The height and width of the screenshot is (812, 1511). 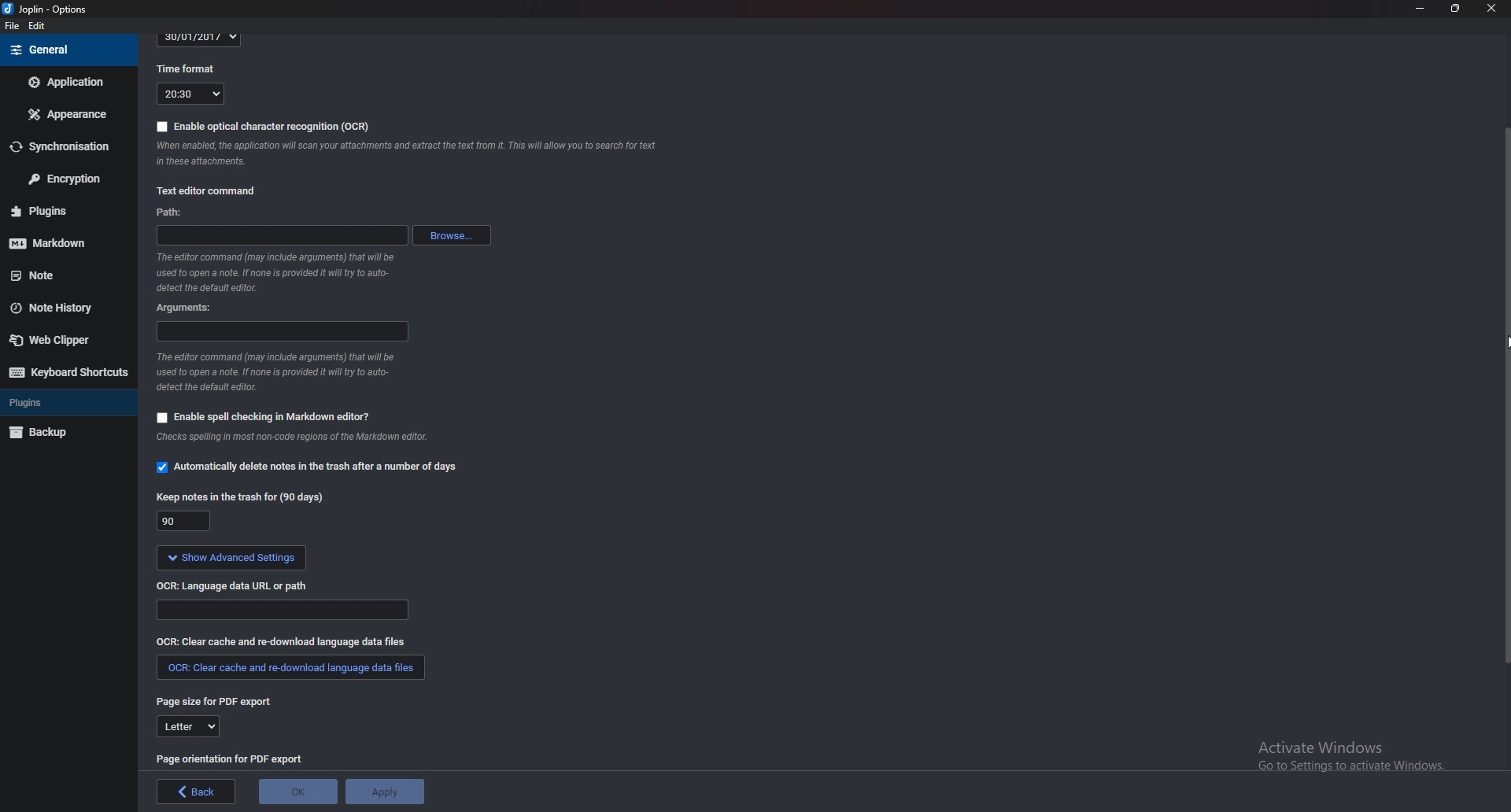 What do you see at coordinates (263, 417) in the screenshot?
I see `Enable spell checking` at bounding box center [263, 417].